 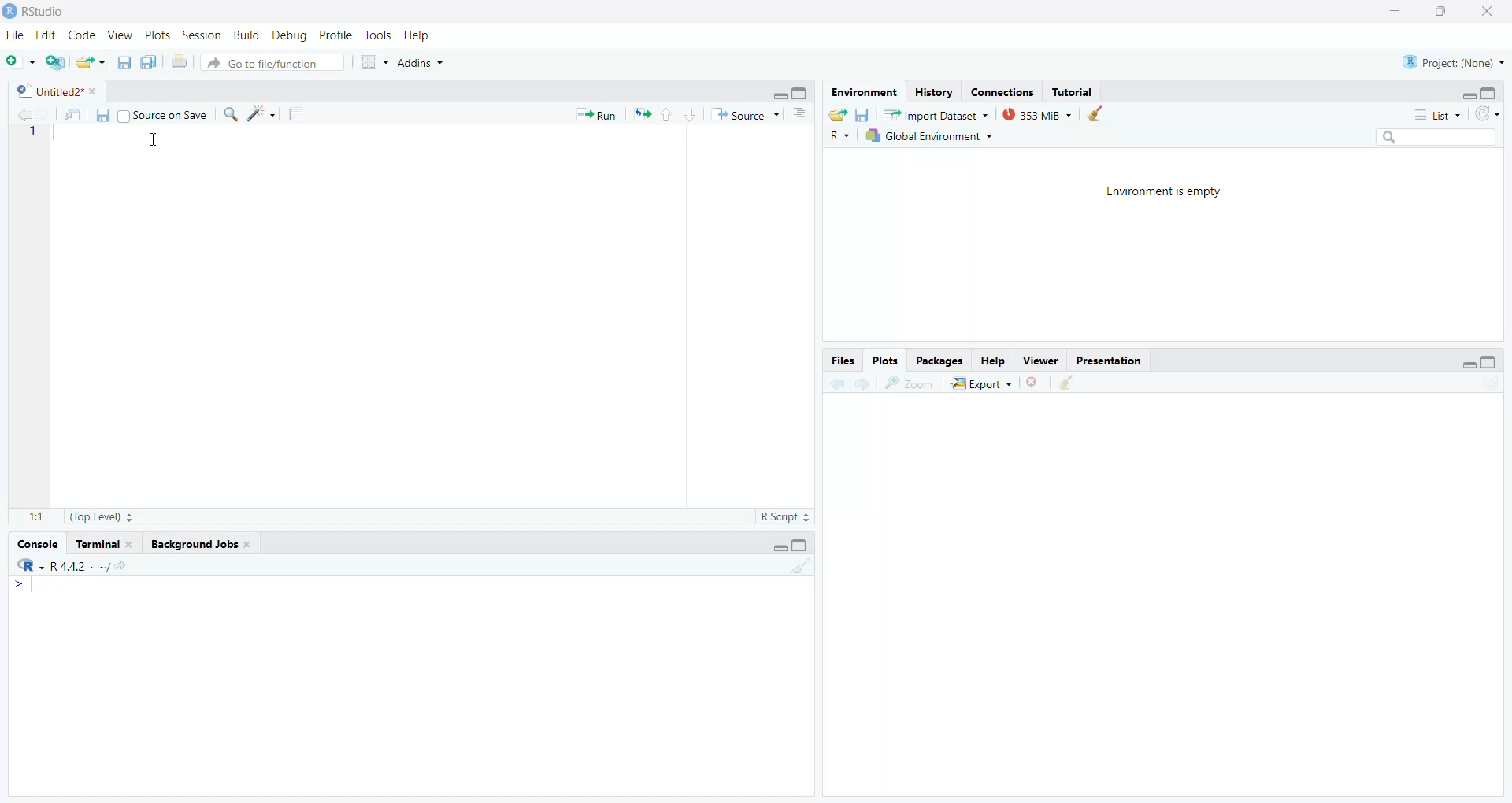 What do you see at coordinates (834, 384) in the screenshot?
I see `go back` at bounding box center [834, 384].